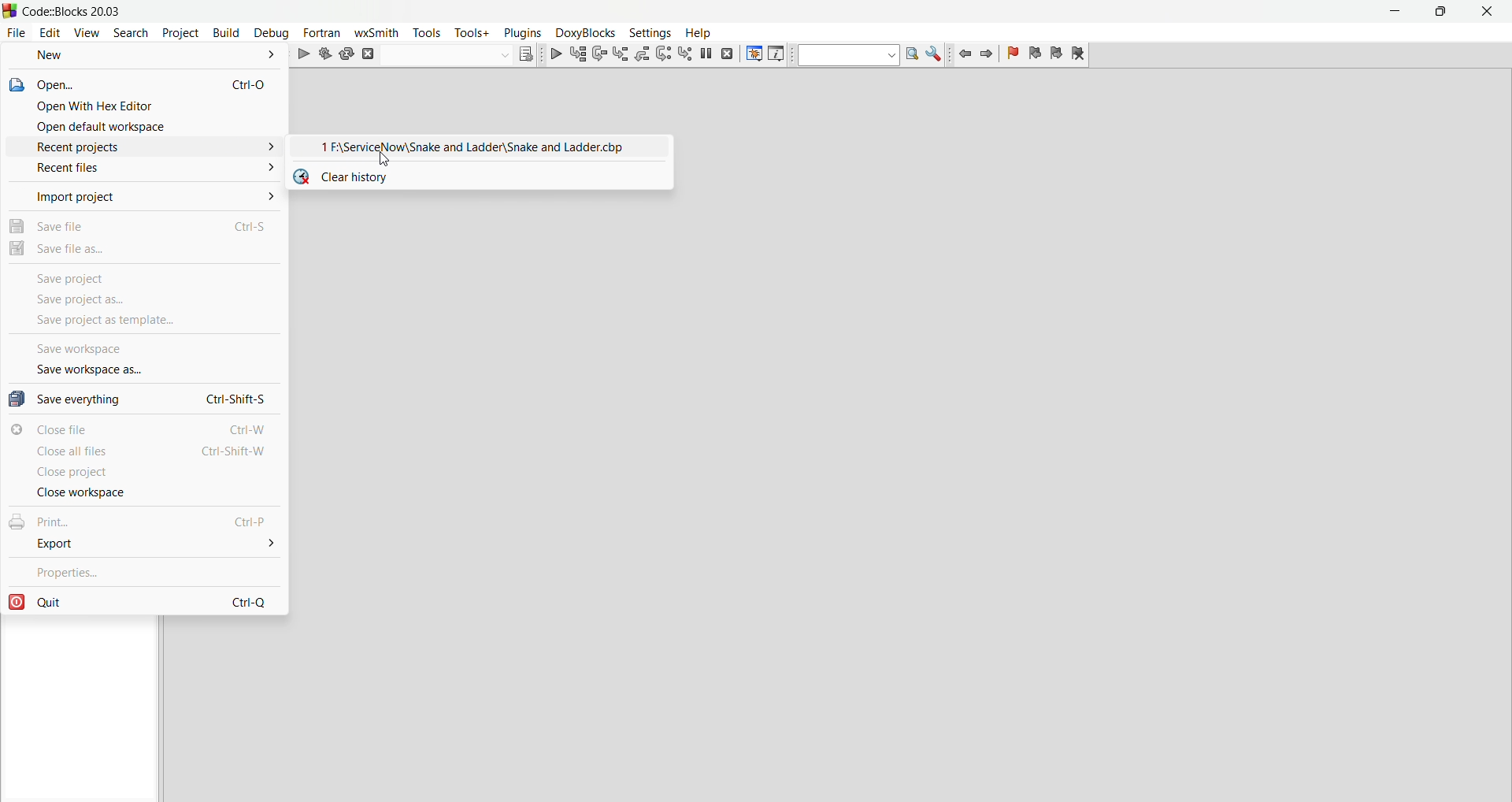  I want to click on plugins, so click(520, 32).